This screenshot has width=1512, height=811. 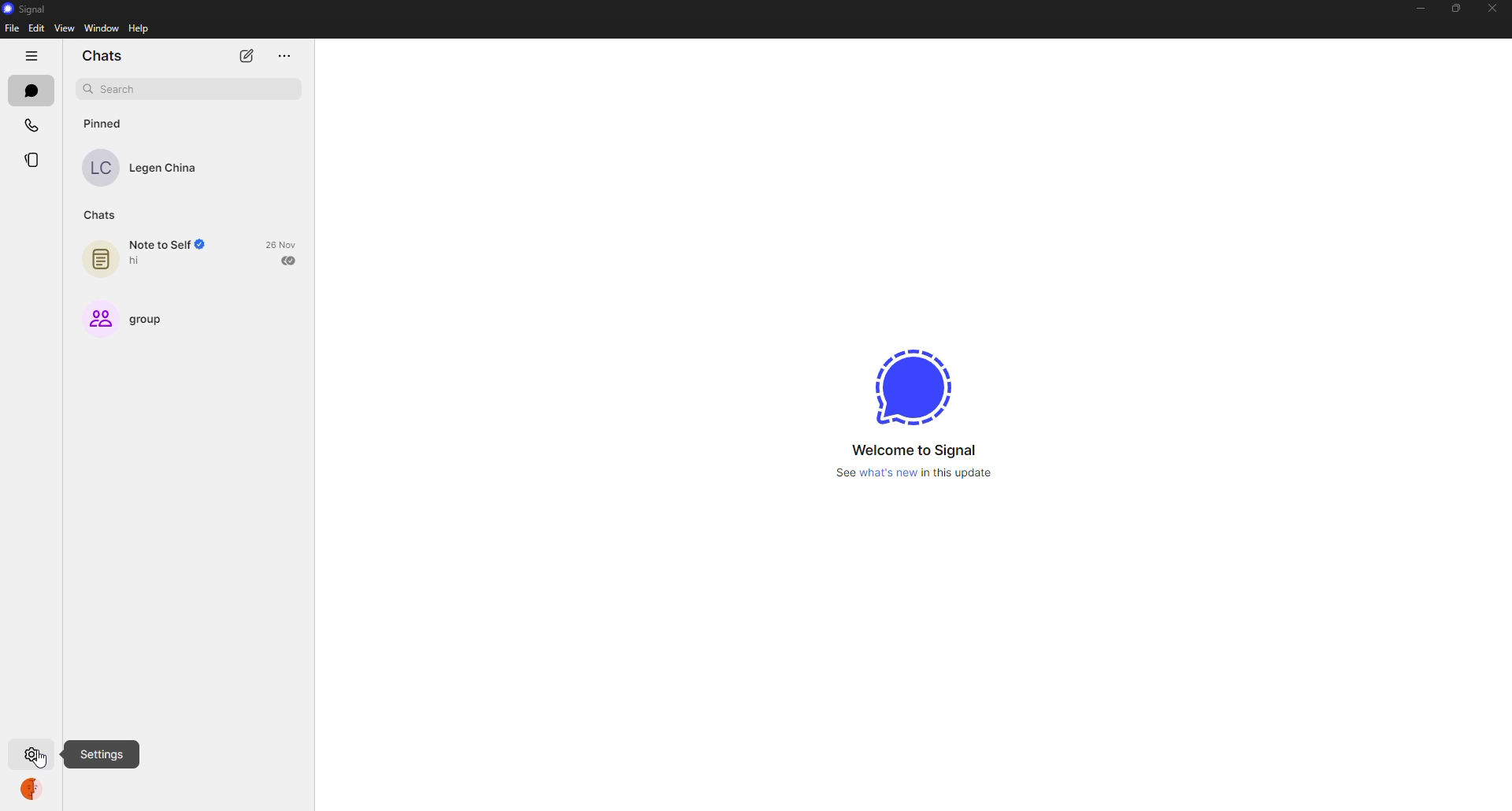 I want to click on window, so click(x=101, y=27).